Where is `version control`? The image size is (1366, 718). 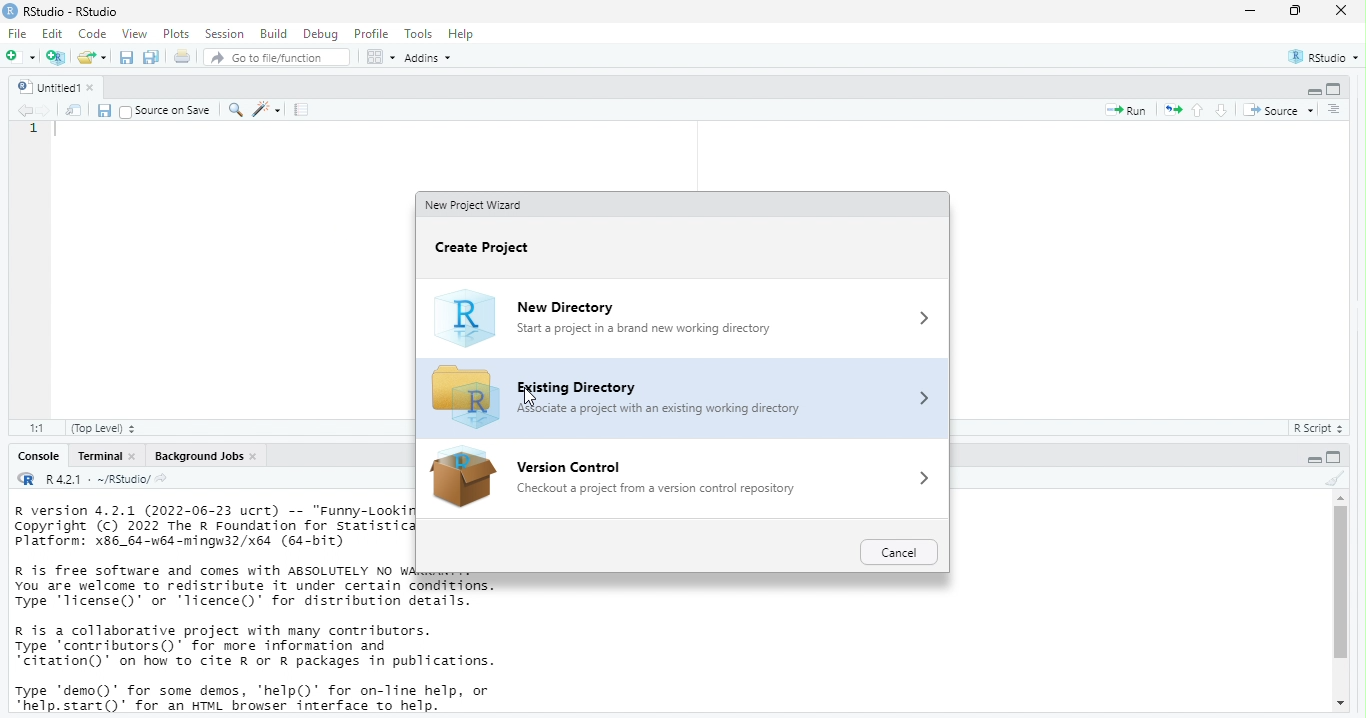
version control is located at coordinates (572, 464).